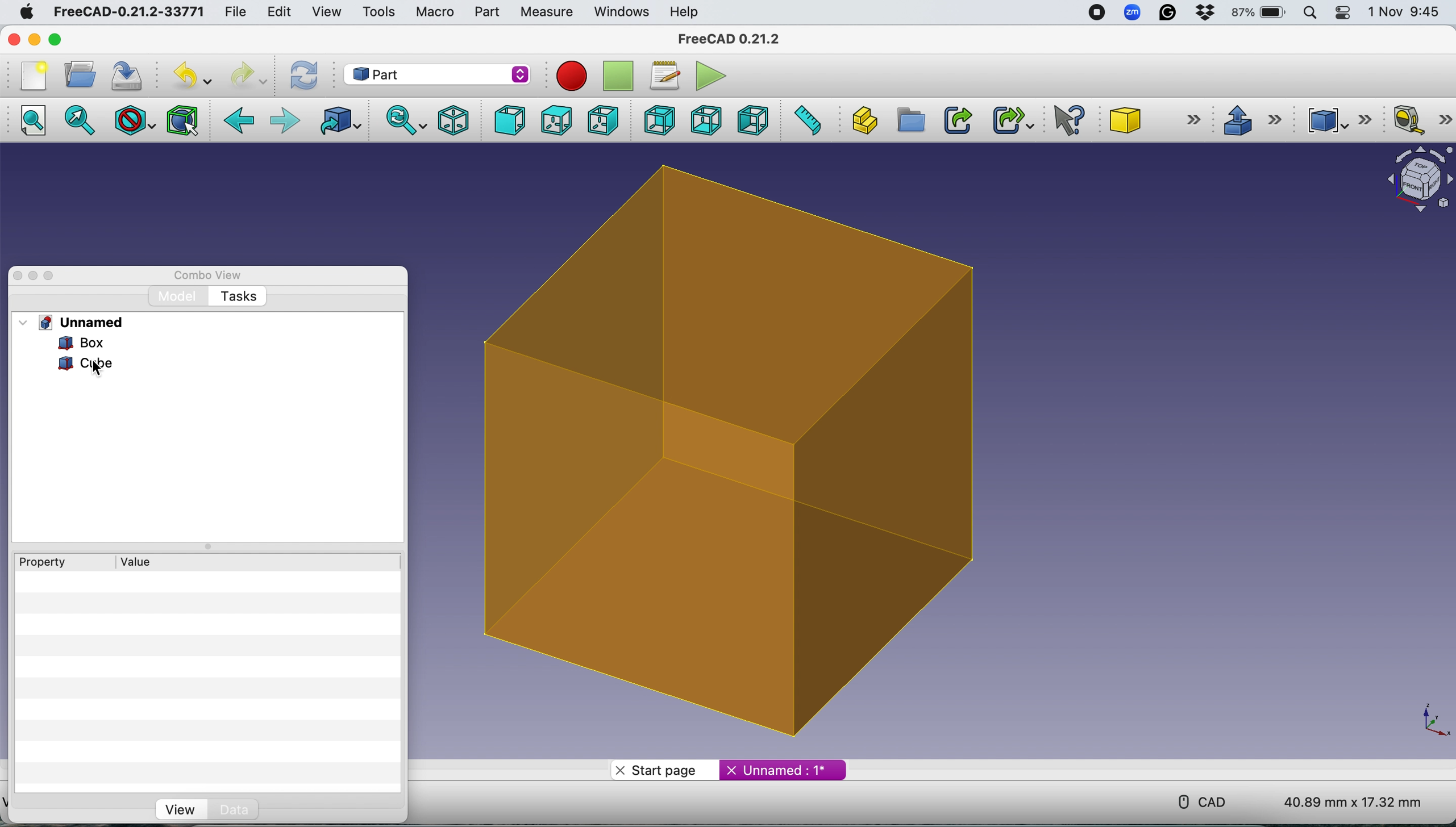 The width and height of the screenshot is (1456, 827). Describe the element at coordinates (136, 120) in the screenshot. I see `Draw style` at that location.